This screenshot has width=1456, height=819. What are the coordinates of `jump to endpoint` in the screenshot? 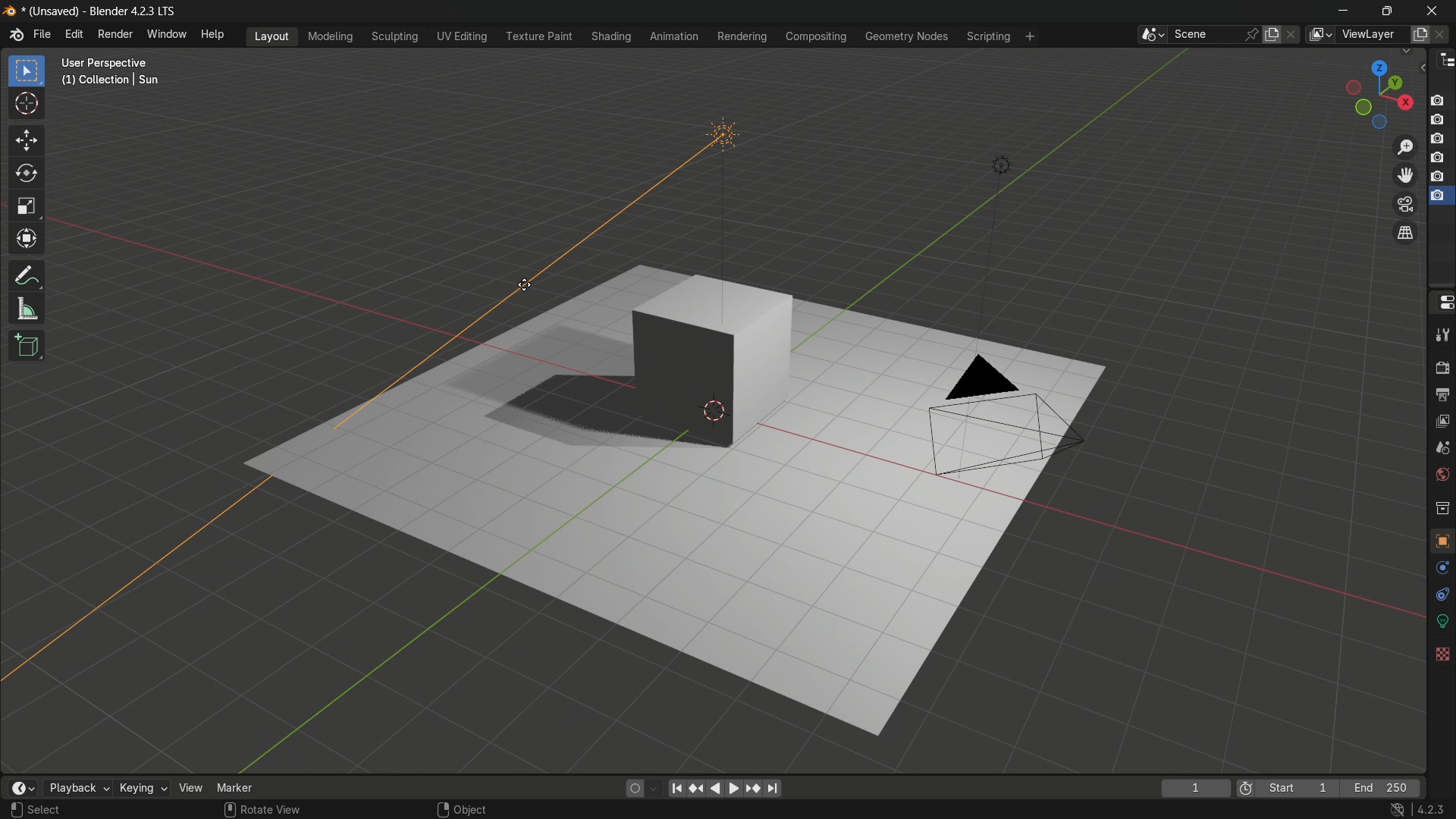 It's located at (773, 790).